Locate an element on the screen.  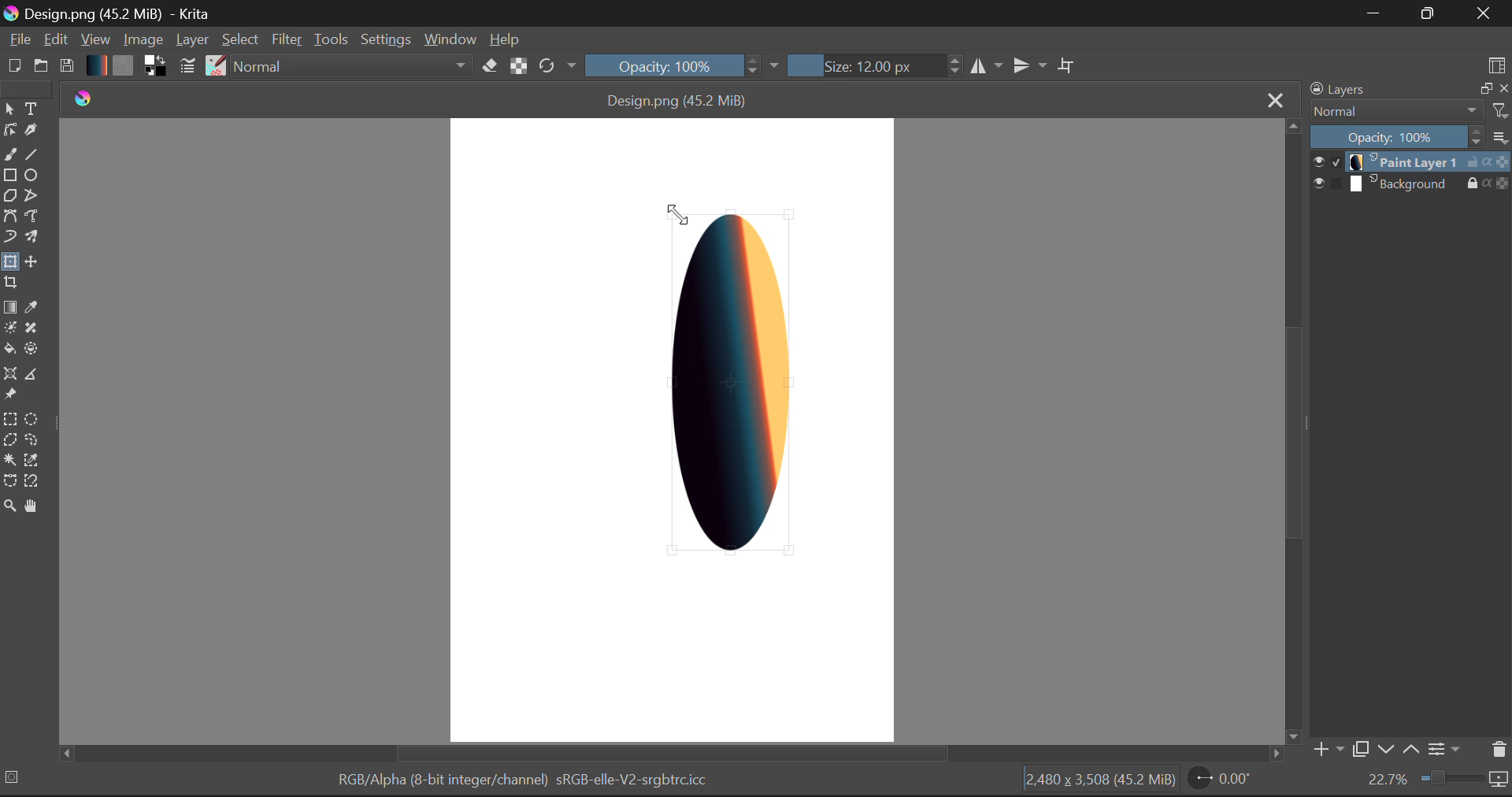
Rectangle is located at coordinates (11, 176).